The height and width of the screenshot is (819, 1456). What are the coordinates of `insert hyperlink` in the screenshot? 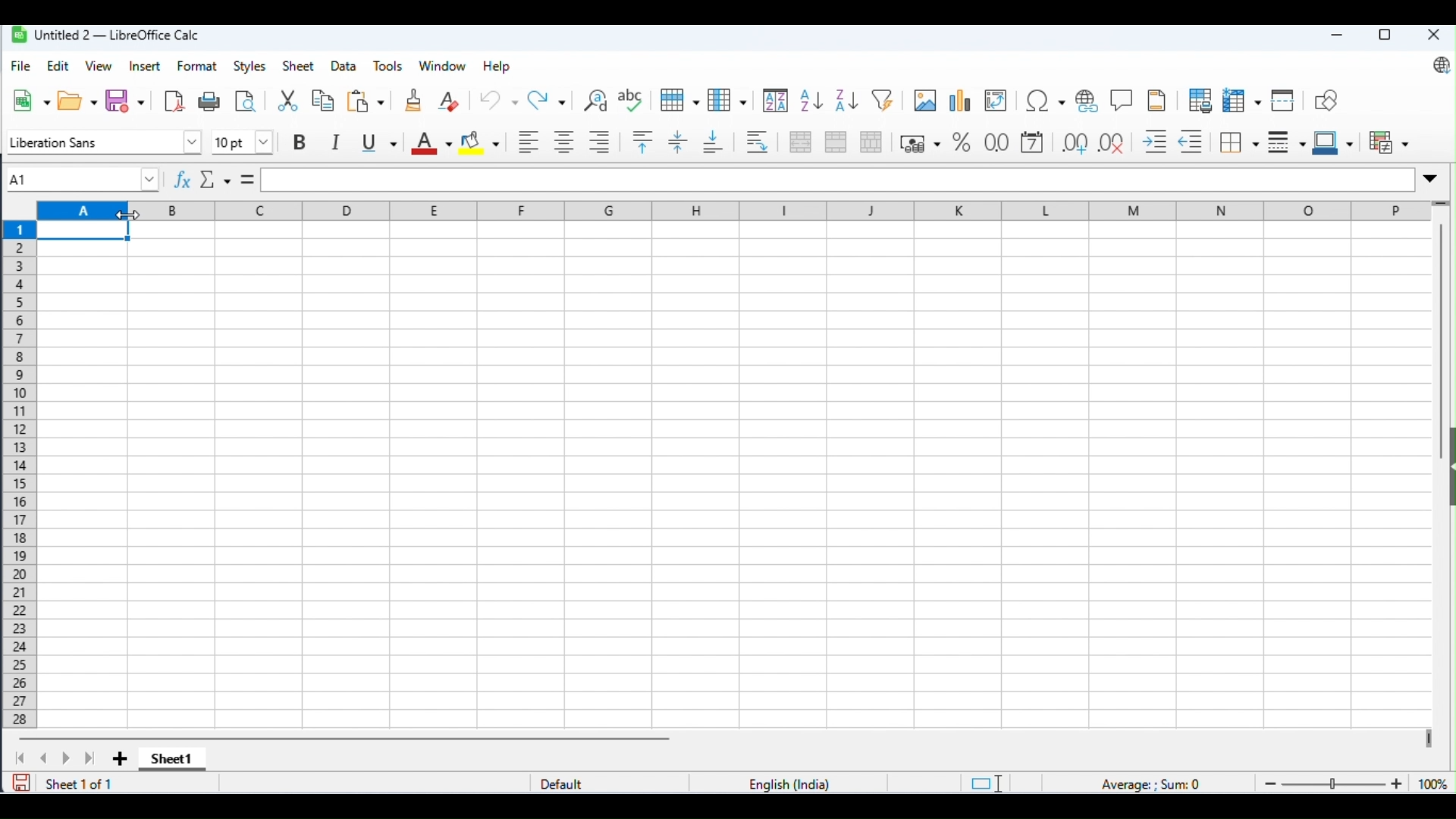 It's located at (1090, 101).